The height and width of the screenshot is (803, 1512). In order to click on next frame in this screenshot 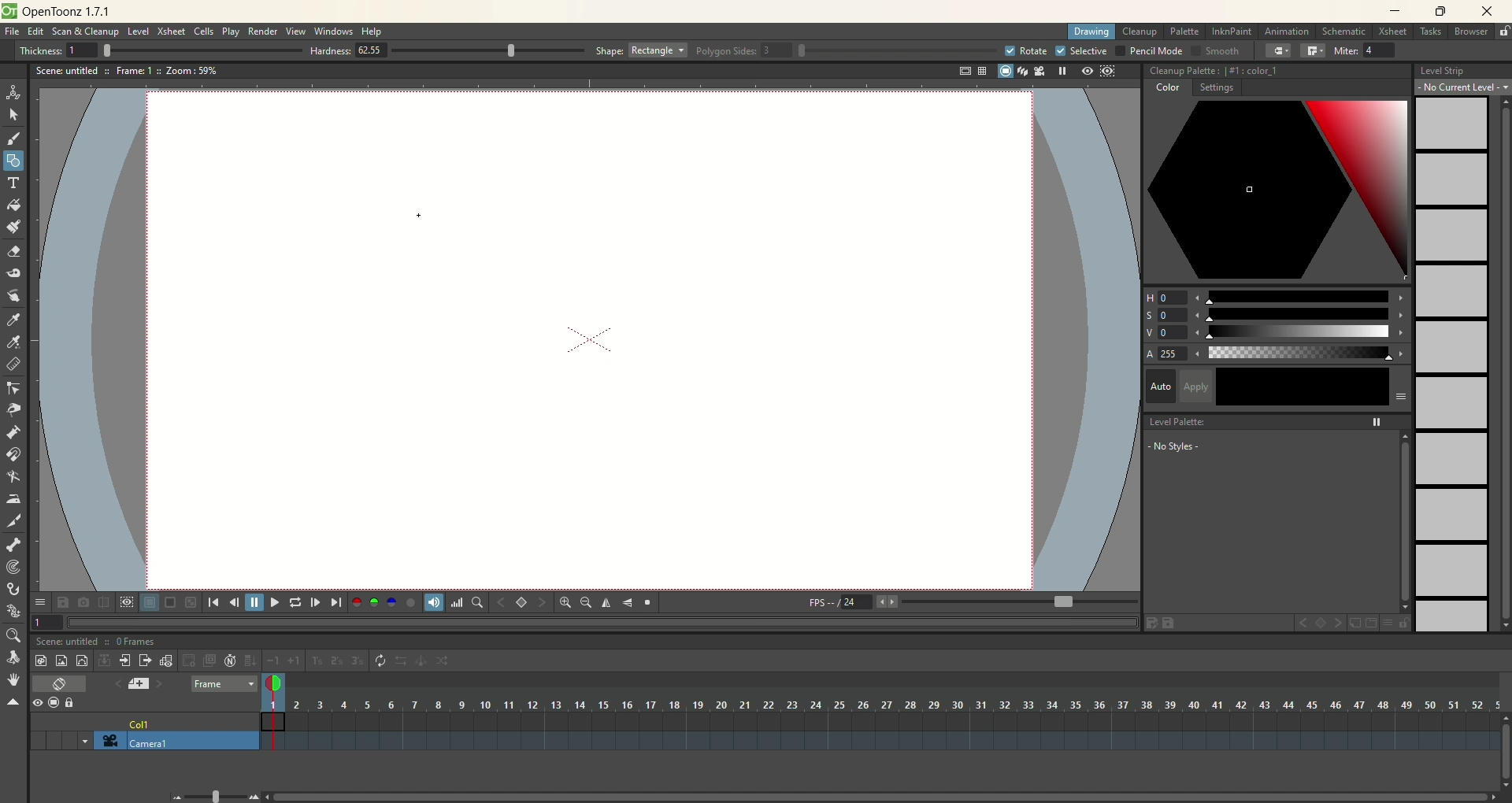, I will do `click(314, 602)`.